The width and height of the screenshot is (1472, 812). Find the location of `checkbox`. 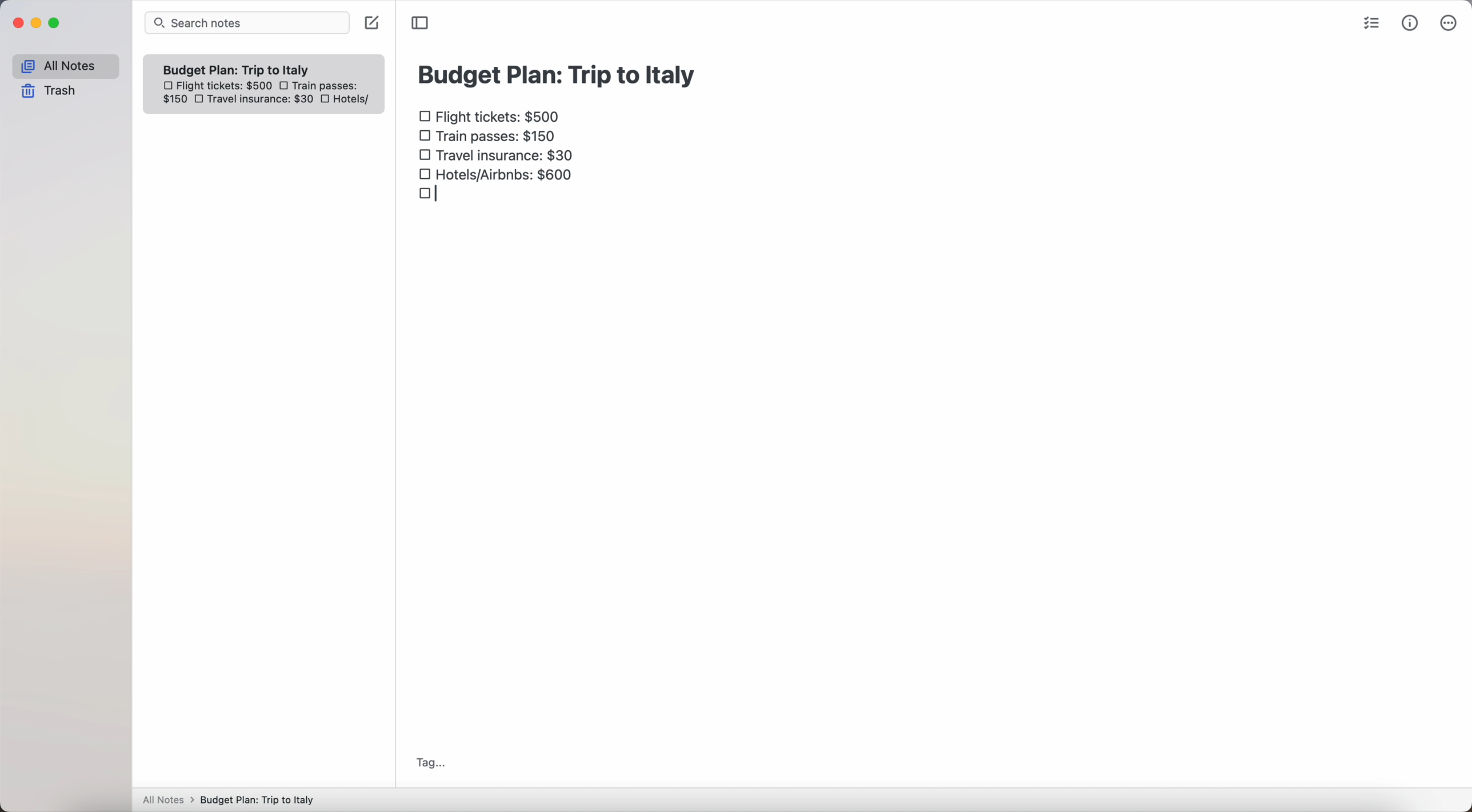

checkbox is located at coordinates (329, 100).